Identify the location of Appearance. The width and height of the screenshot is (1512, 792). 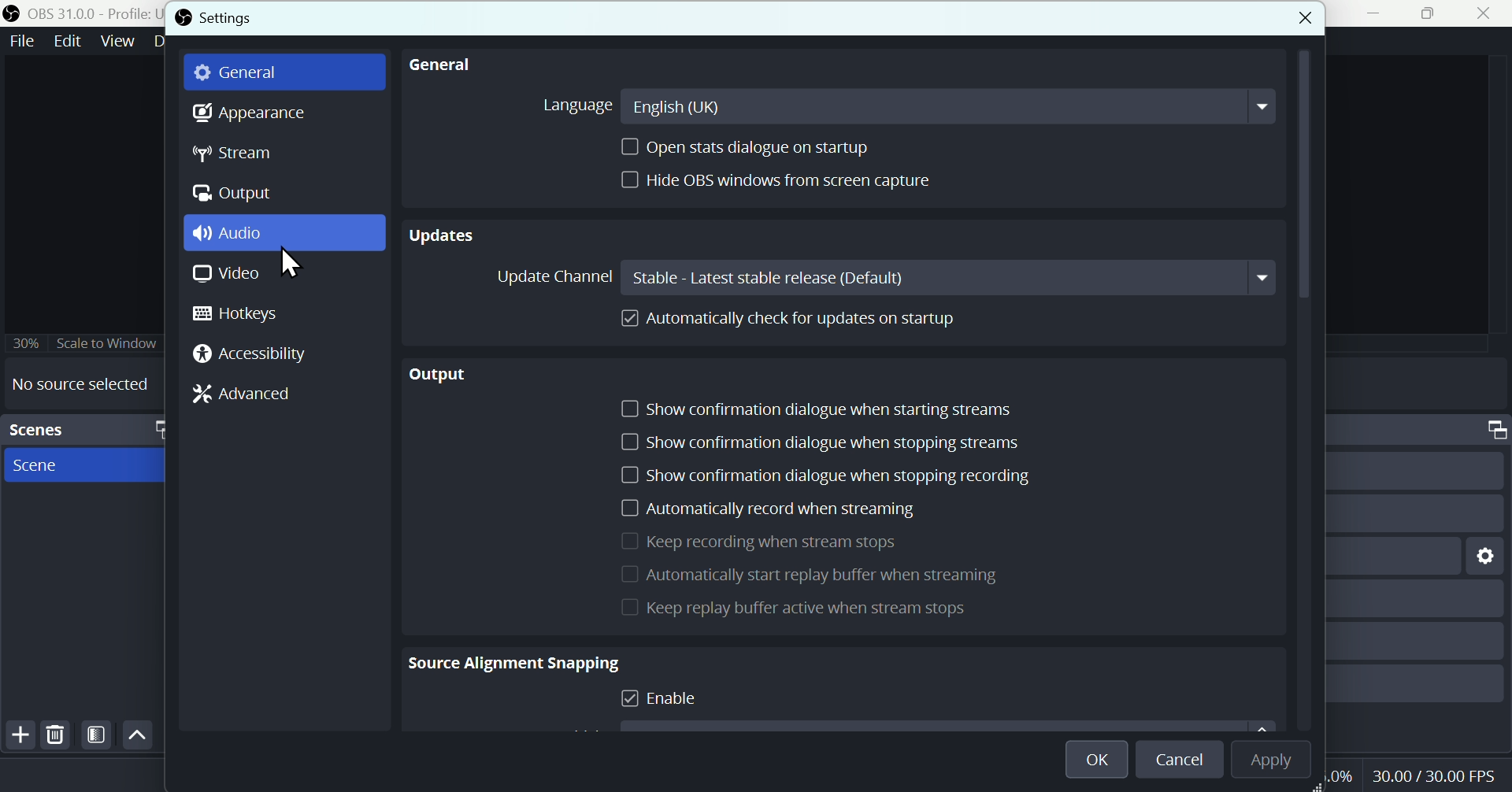
(246, 112).